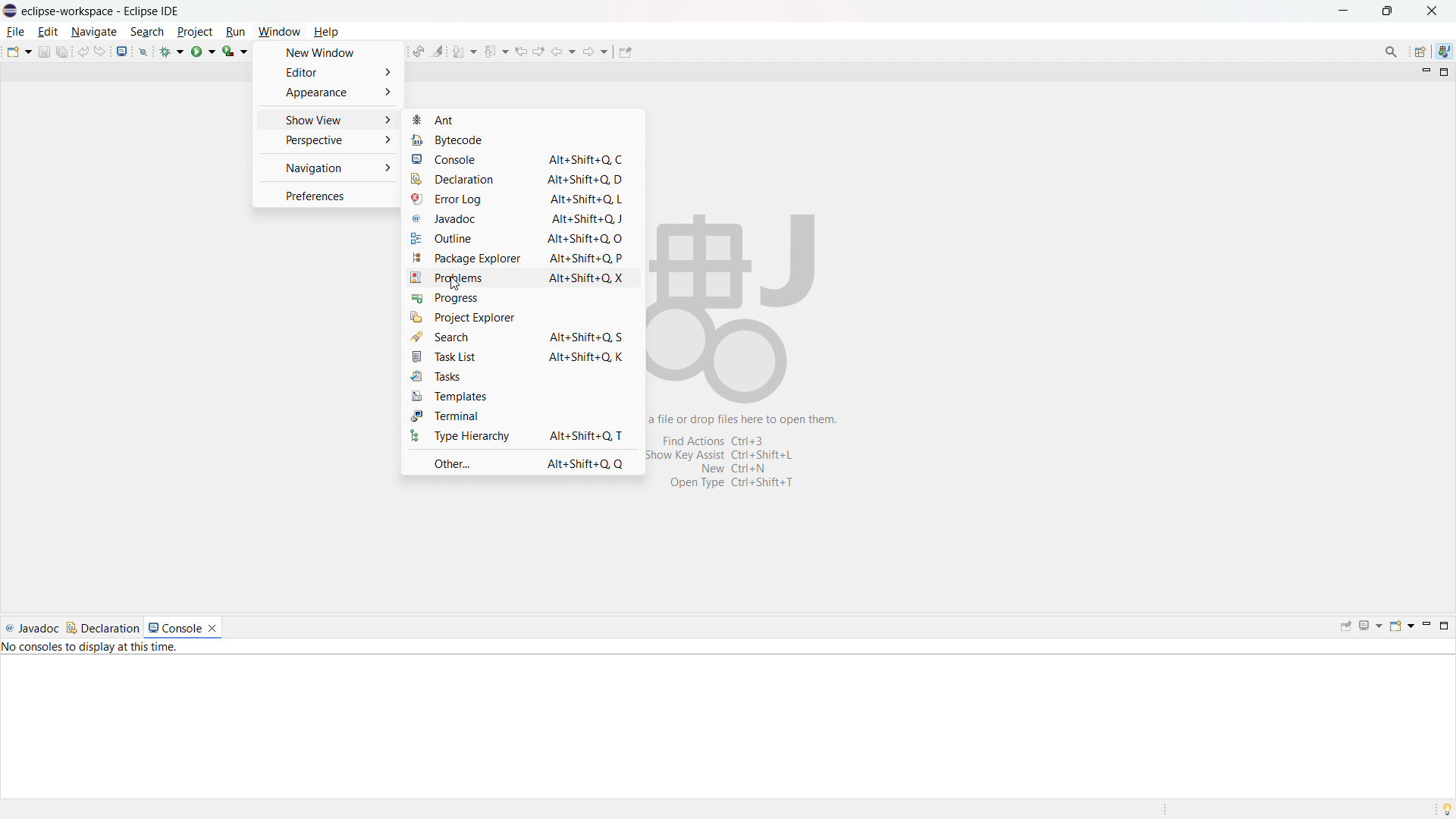 Image resolution: width=1456 pixels, height=819 pixels. I want to click on open perspective, so click(1421, 52).